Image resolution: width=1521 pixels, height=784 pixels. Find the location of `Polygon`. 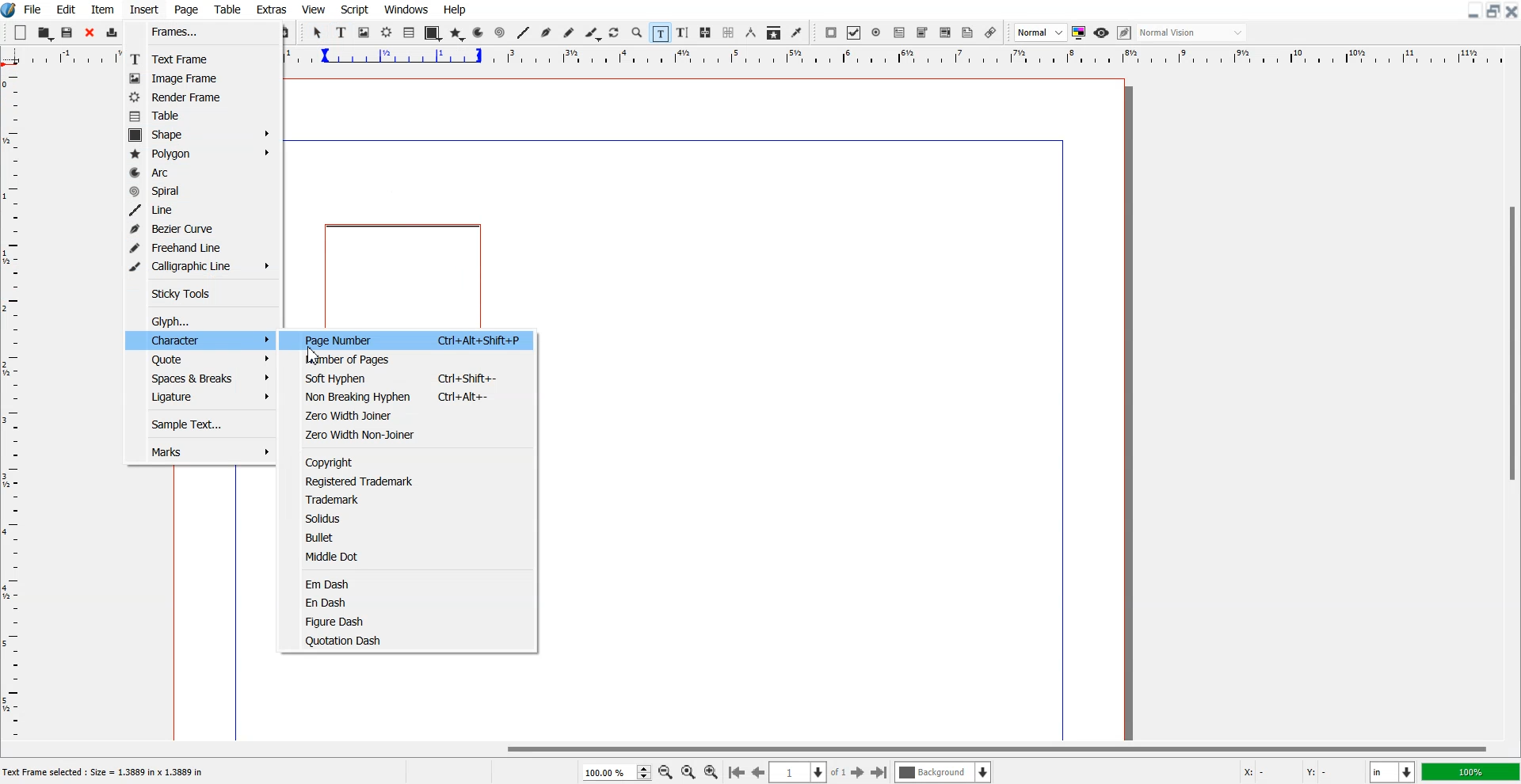

Polygon is located at coordinates (202, 153).